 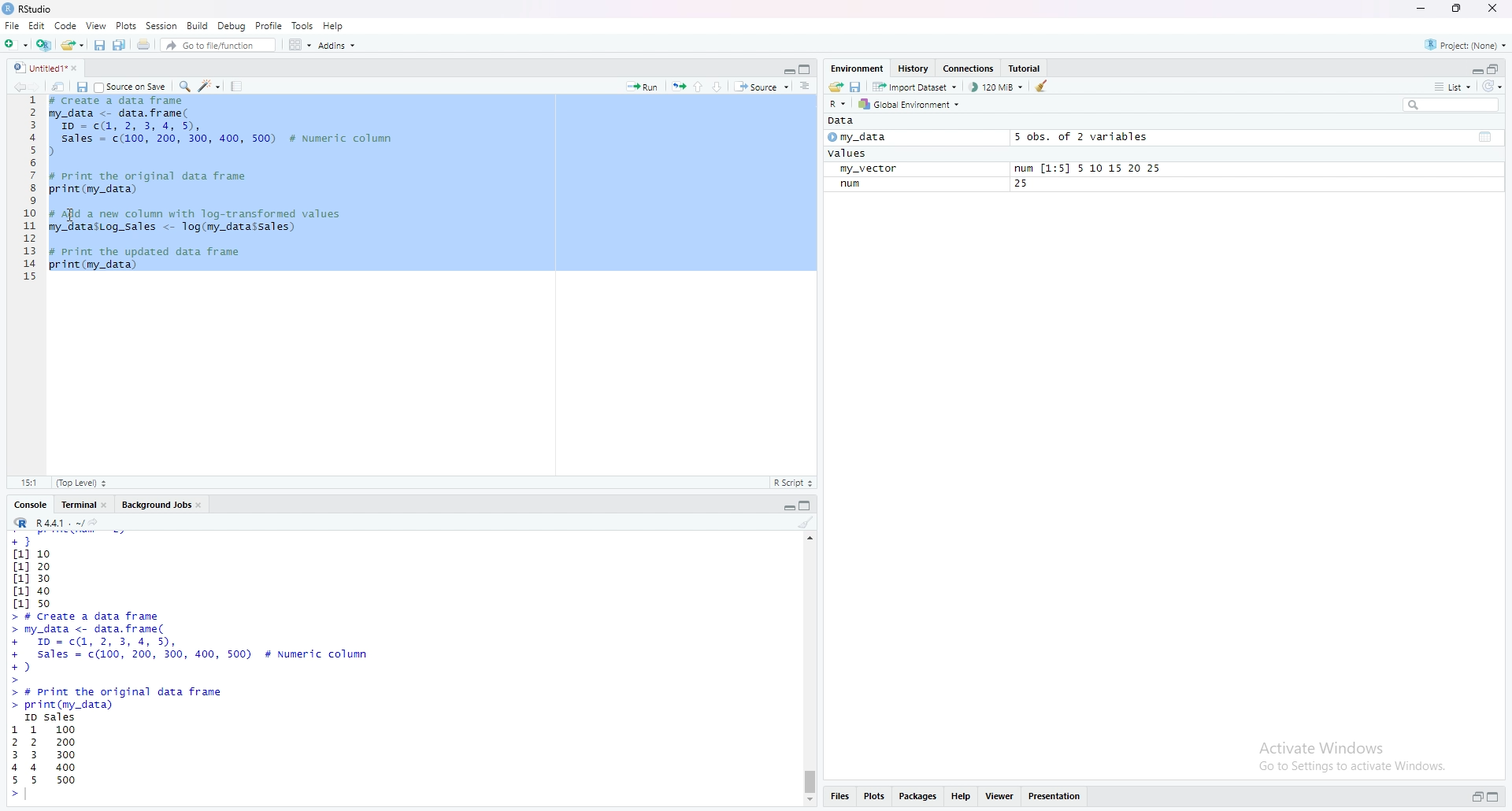 I want to click on save current document, so click(x=101, y=46).